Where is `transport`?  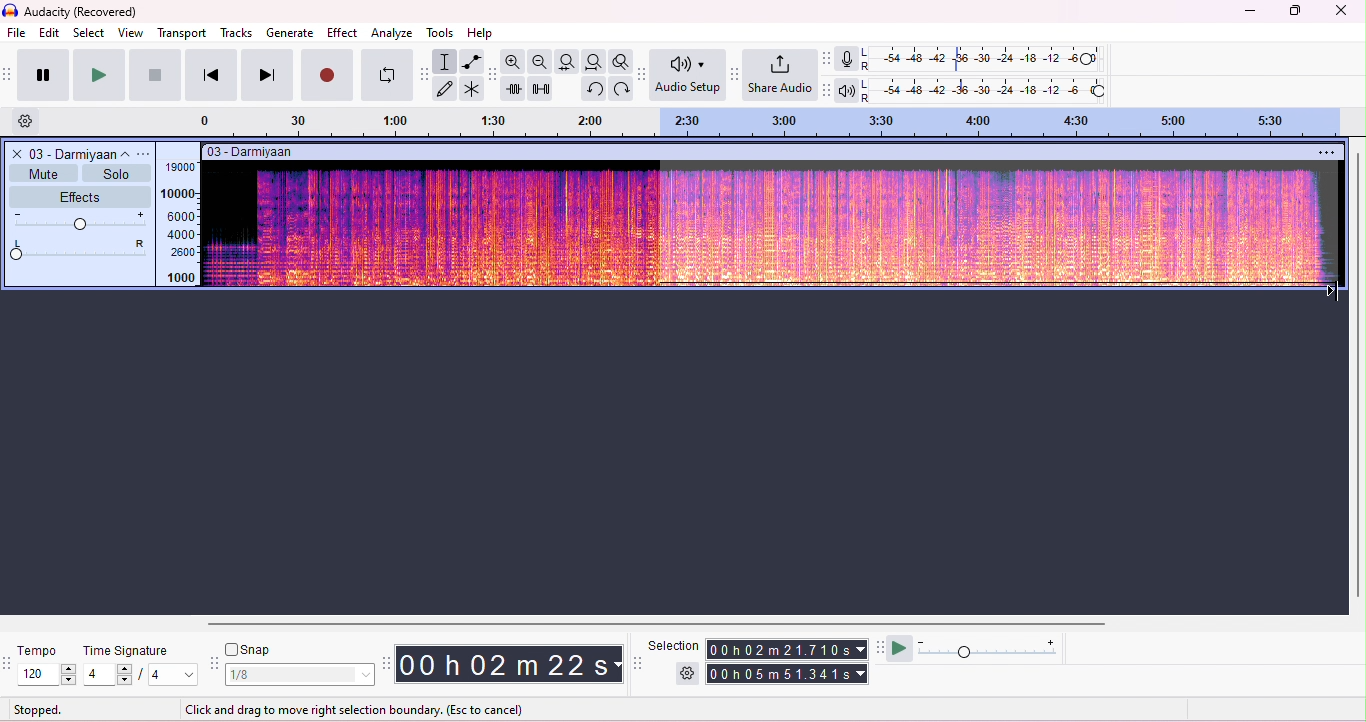
transport is located at coordinates (182, 33).